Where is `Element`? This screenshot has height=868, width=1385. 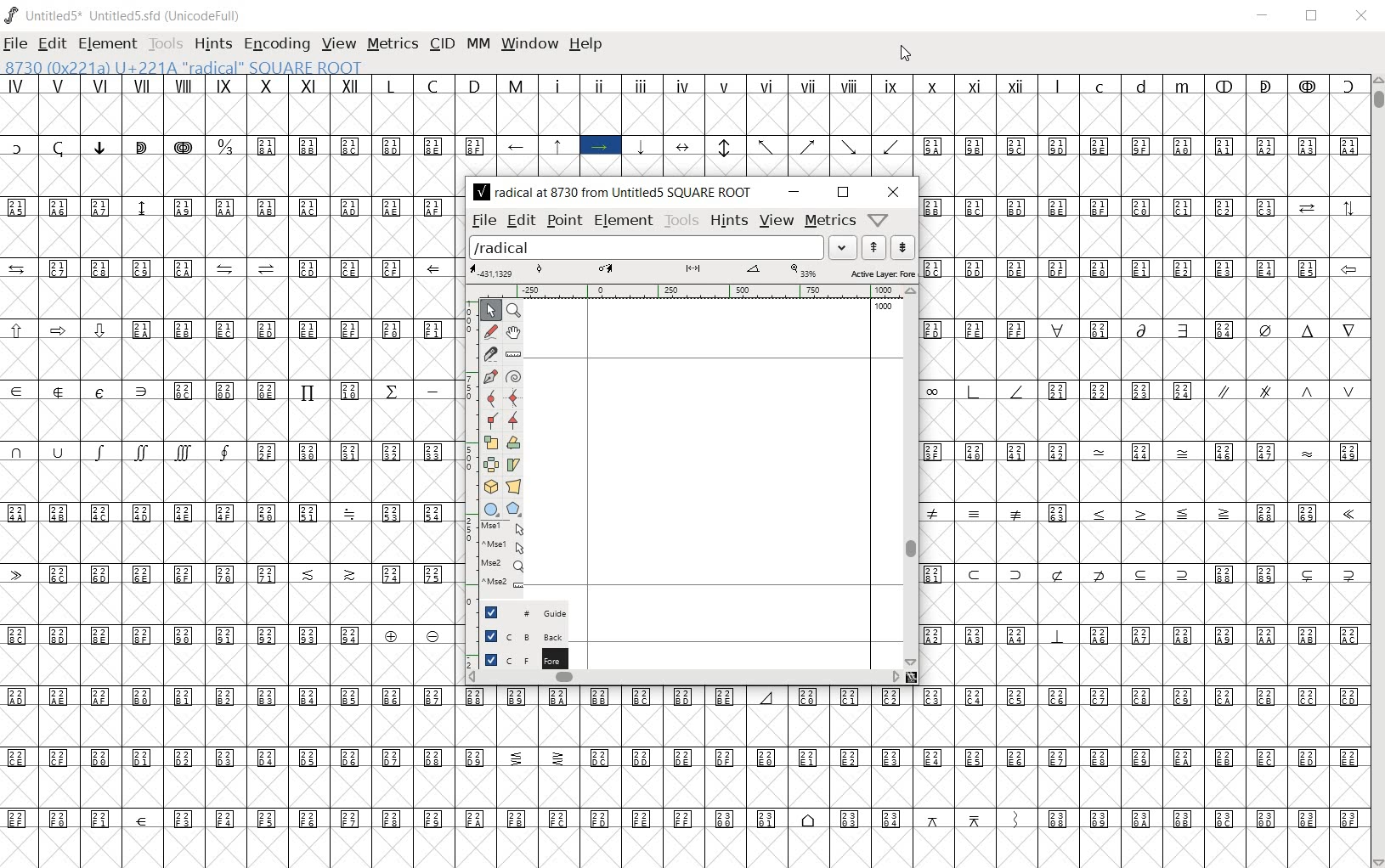
Element is located at coordinates (625, 221).